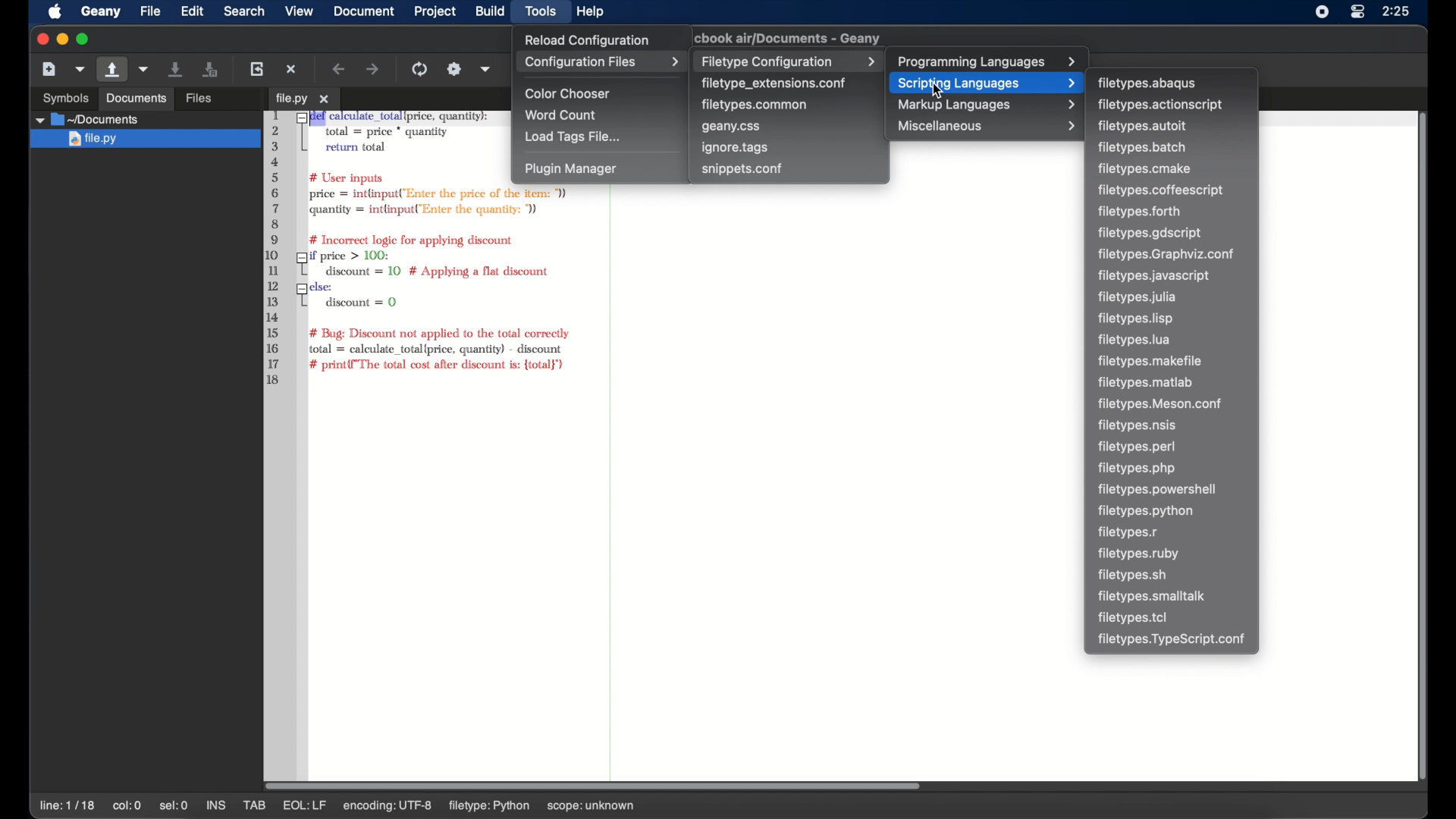 This screenshot has height=819, width=1456. I want to click on geany.cs, so click(732, 127).